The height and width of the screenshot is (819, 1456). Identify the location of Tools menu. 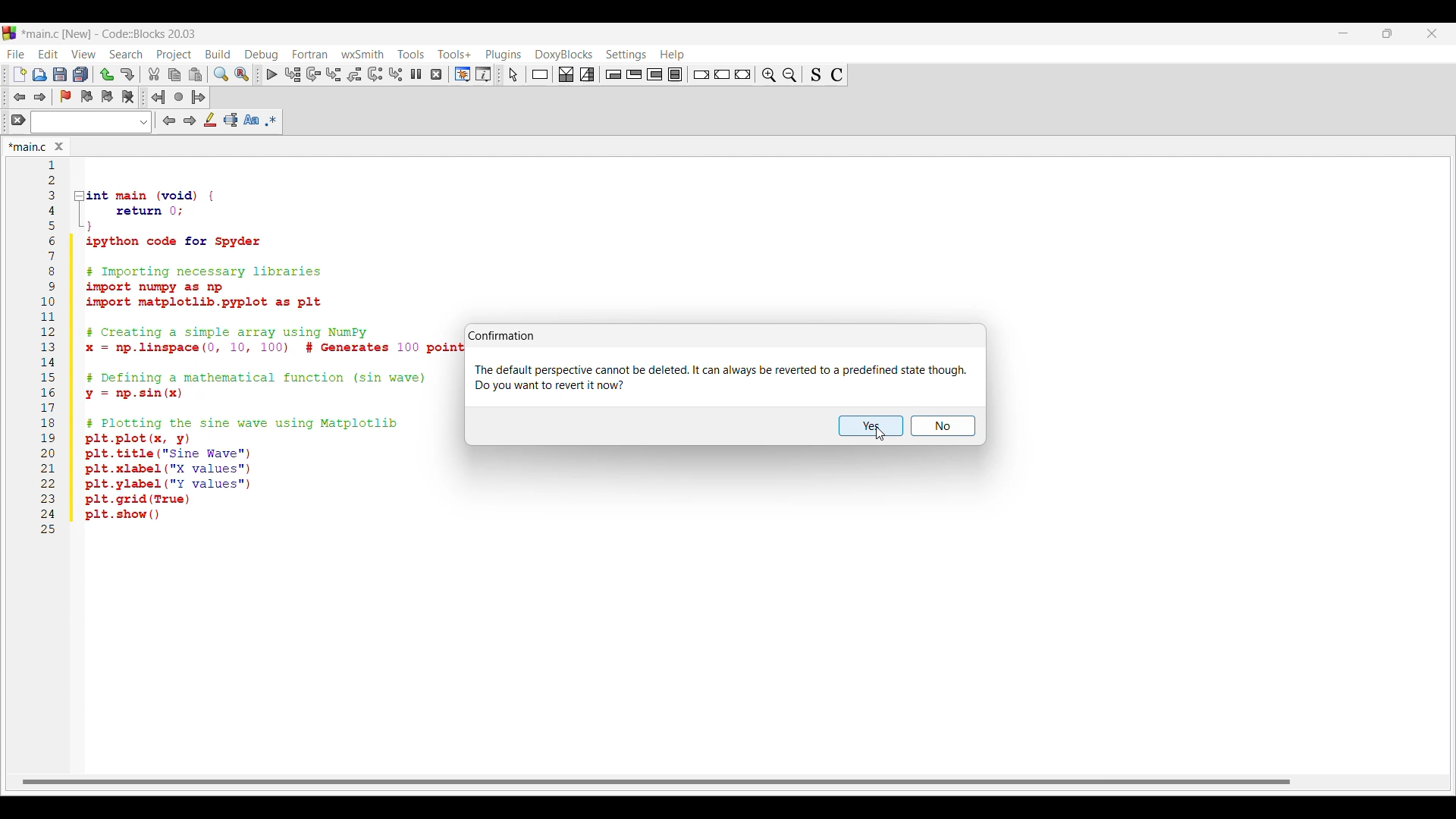
(411, 54).